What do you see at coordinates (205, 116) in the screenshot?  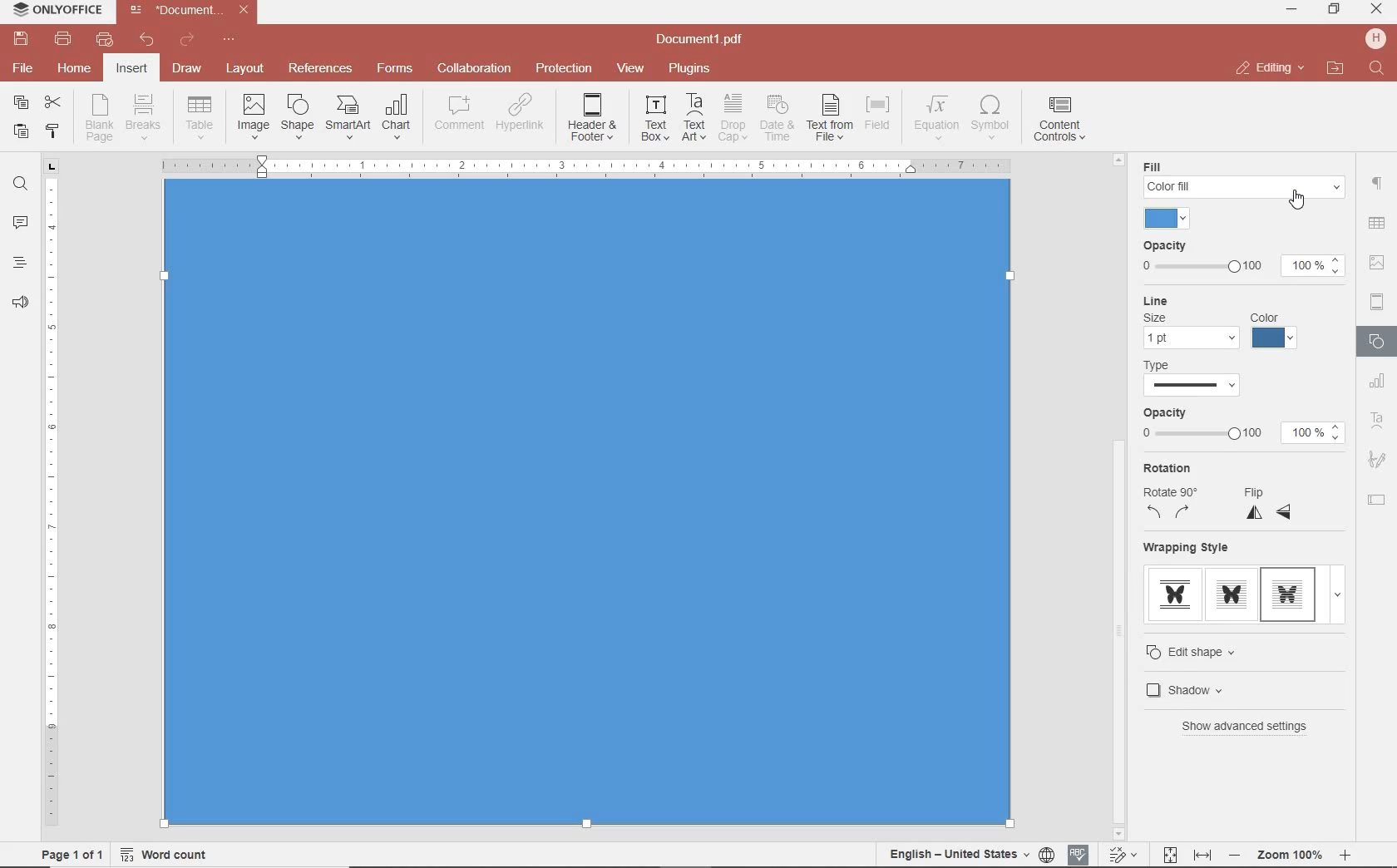 I see `insert drop down` at bounding box center [205, 116].